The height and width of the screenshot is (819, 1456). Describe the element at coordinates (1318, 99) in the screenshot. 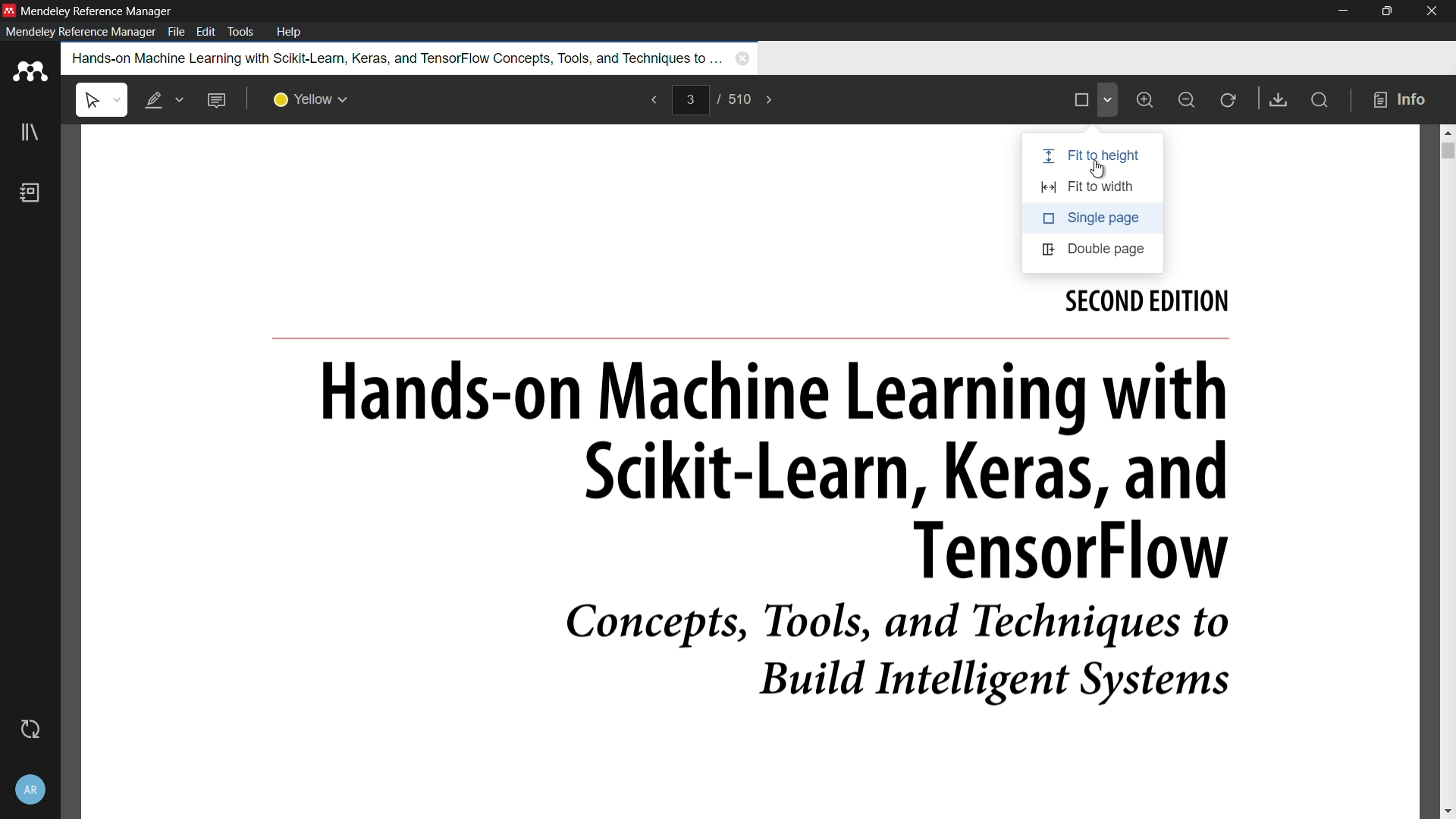

I see `find` at that location.